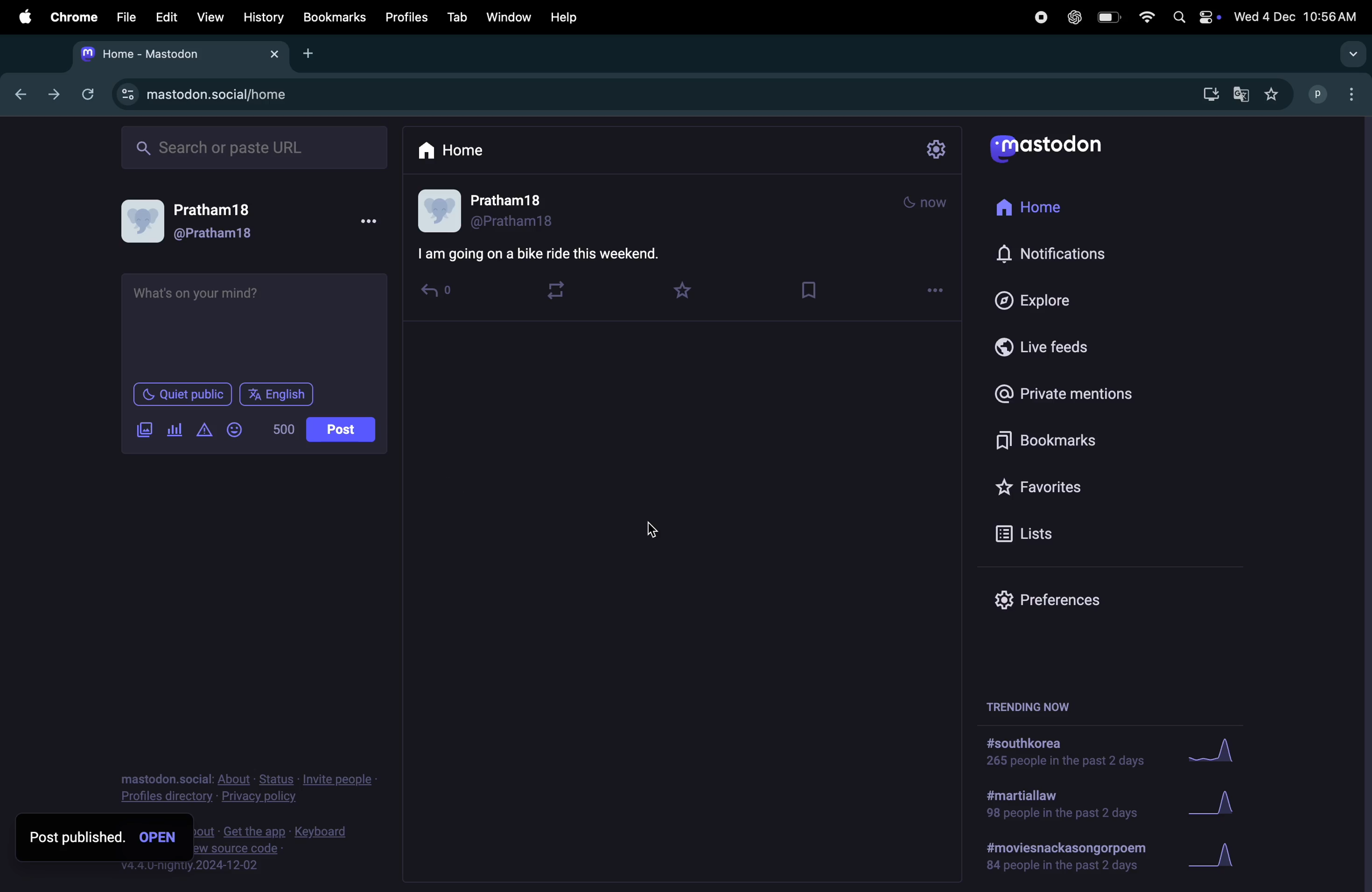 The image size is (1372, 892). I want to click on options, so click(938, 289).